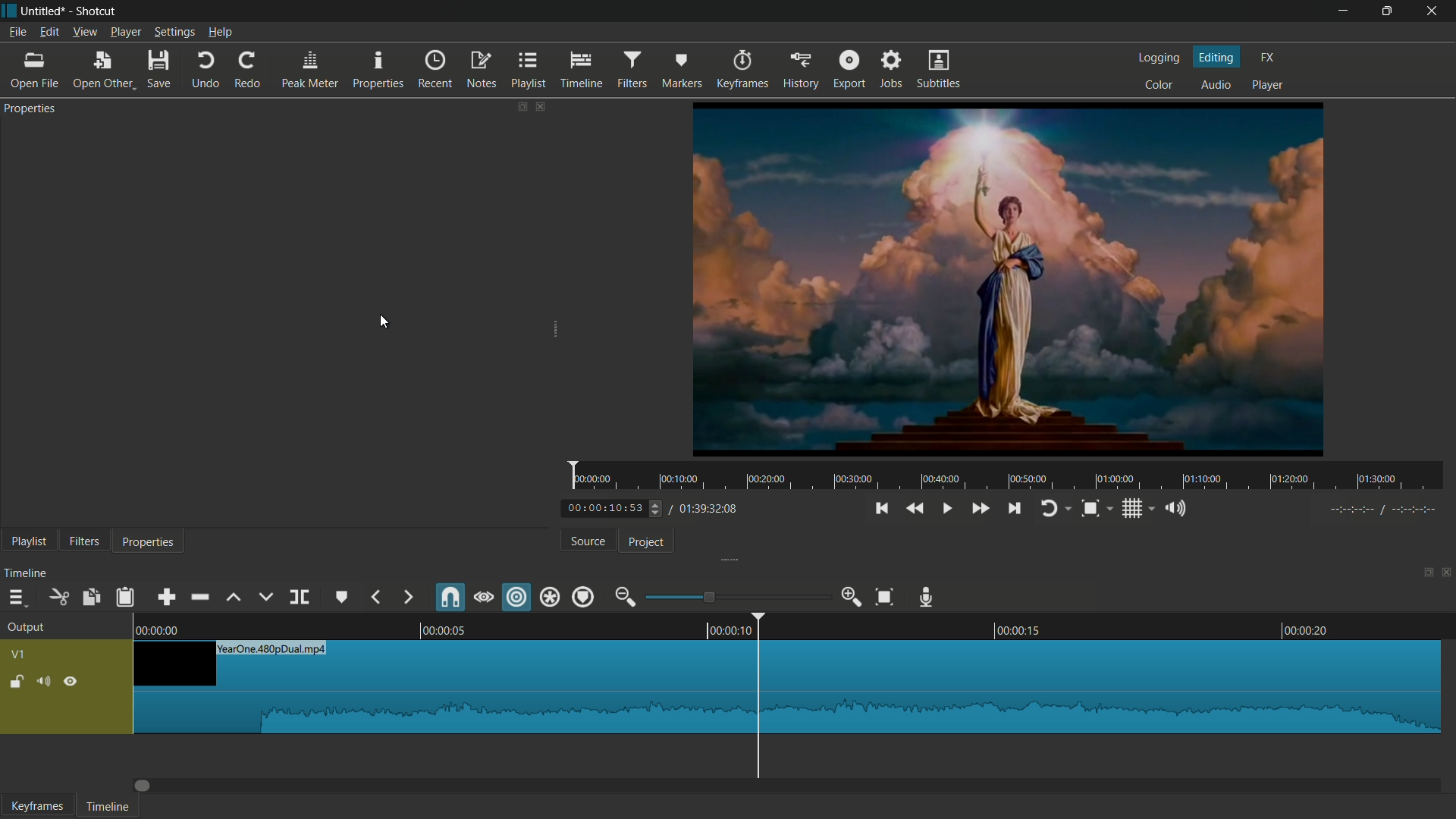  Describe the element at coordinates (26, 574) in the screenshot. I see `timeline` at that location.